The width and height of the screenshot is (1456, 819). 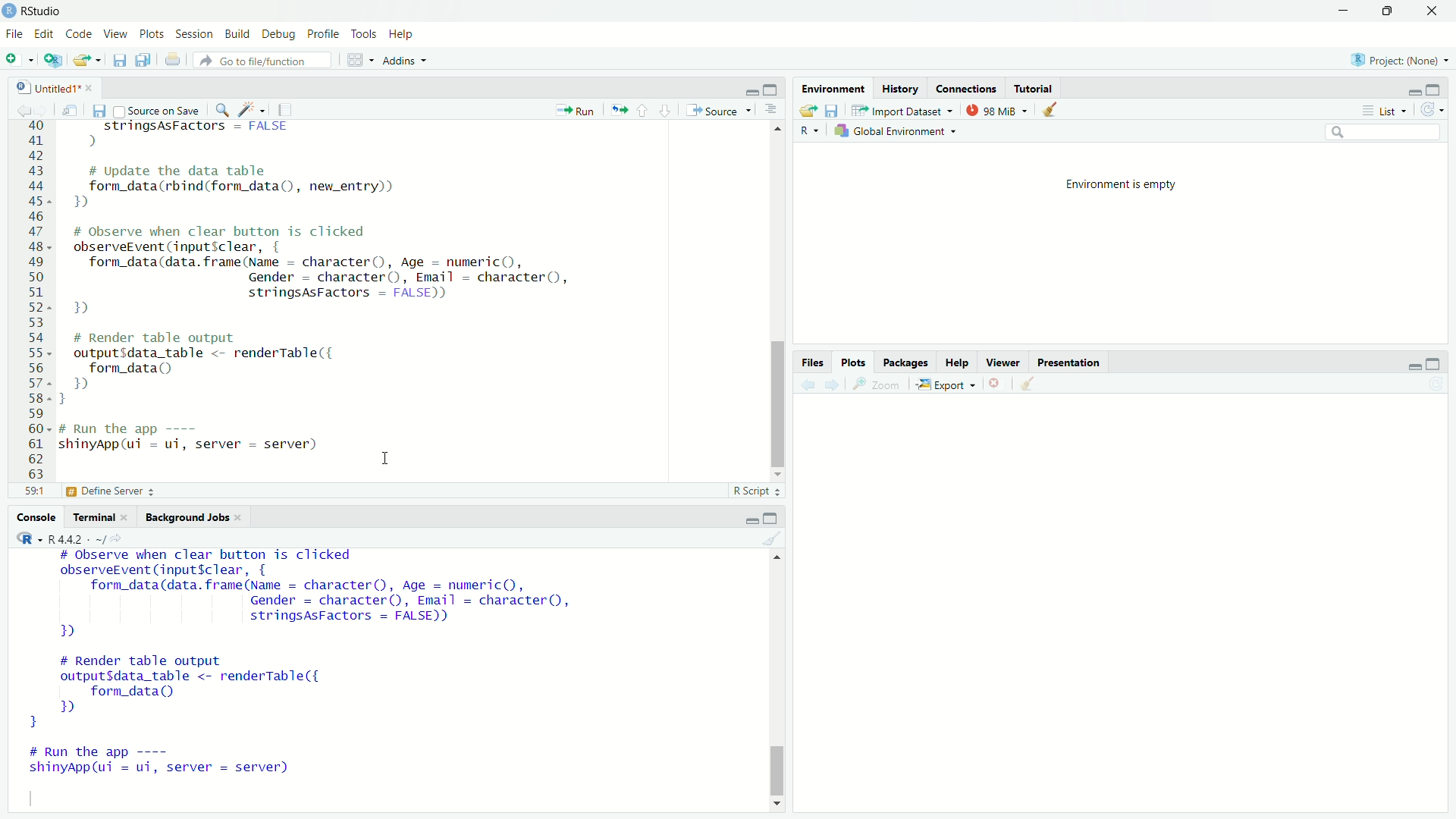 I want to click on string code, so click(x=187, y=134).